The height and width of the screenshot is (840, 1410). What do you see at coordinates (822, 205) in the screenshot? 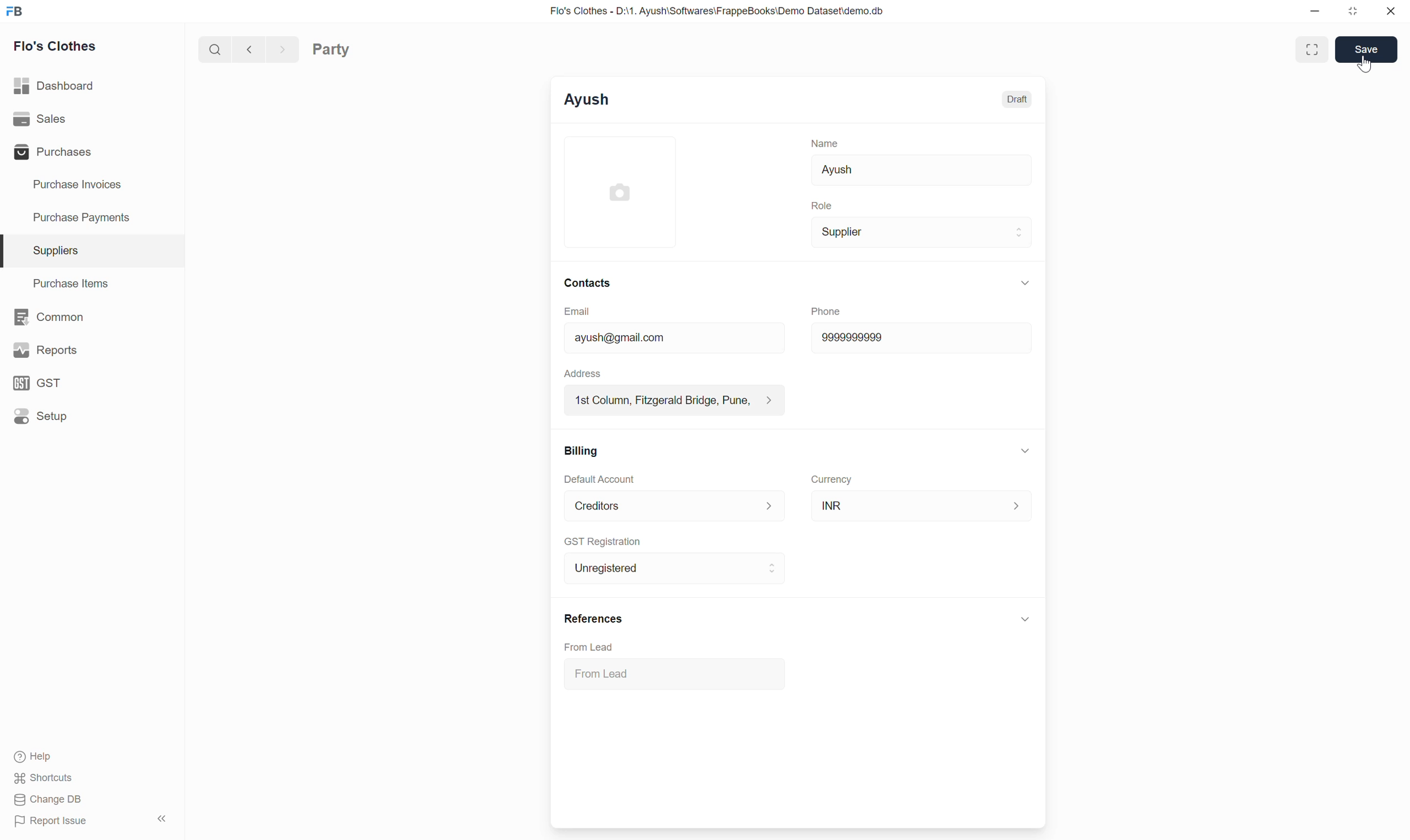
I see `Role` at bounding box center [822, 205].